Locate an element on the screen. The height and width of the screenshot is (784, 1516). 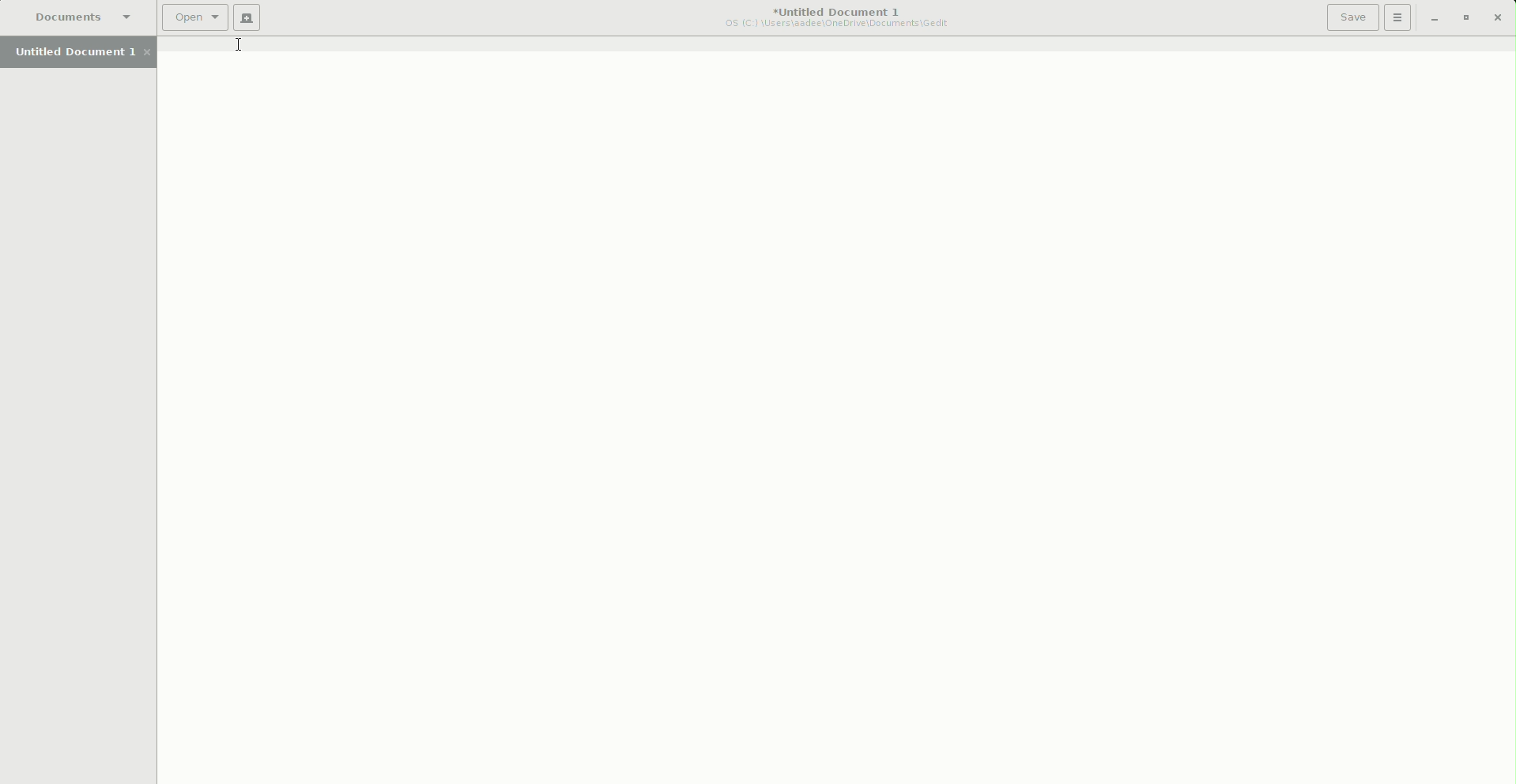
Save is located at coordinates (1353, 17).